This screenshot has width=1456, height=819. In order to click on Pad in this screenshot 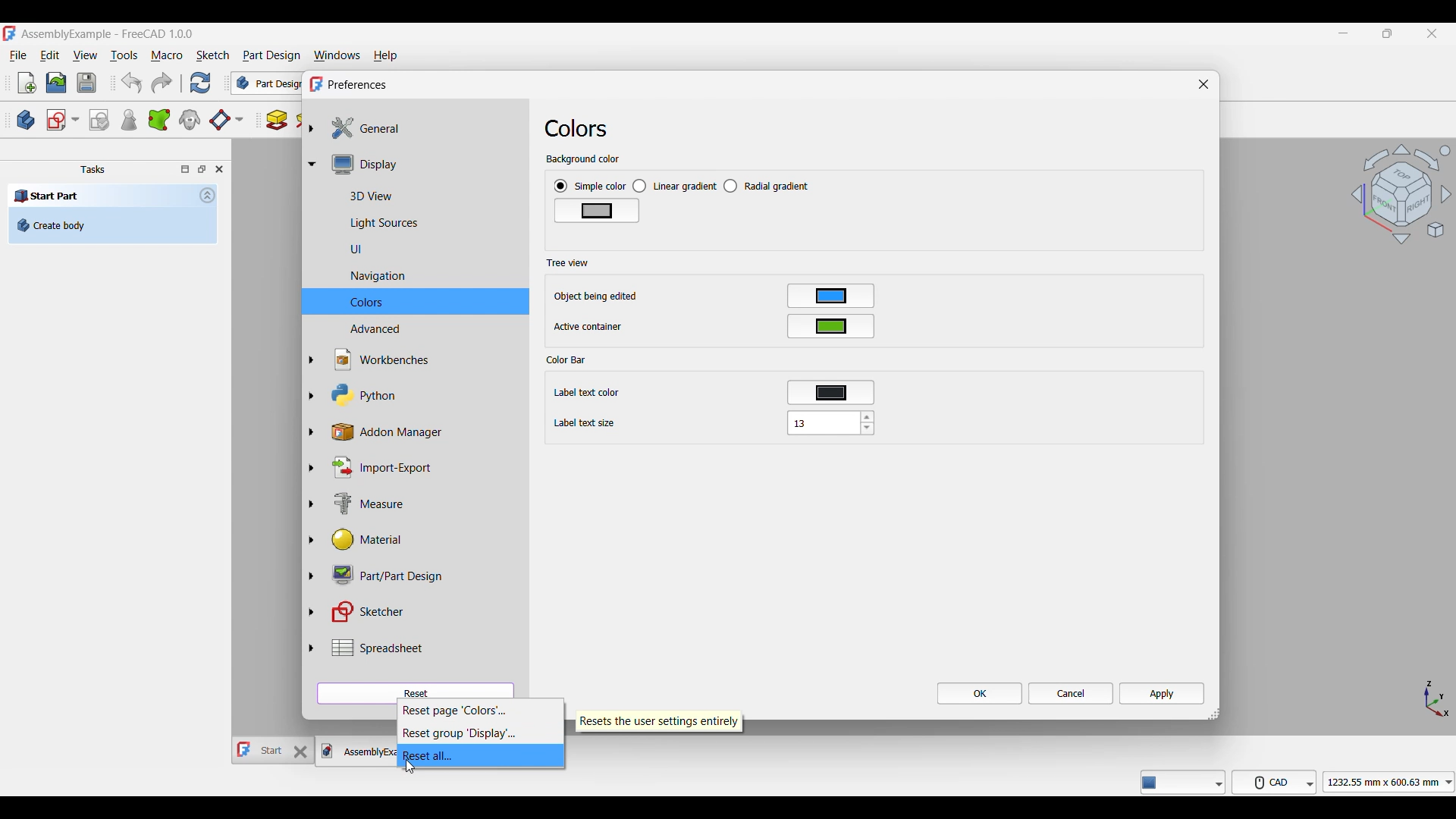, I will do `click(277, 121)`.